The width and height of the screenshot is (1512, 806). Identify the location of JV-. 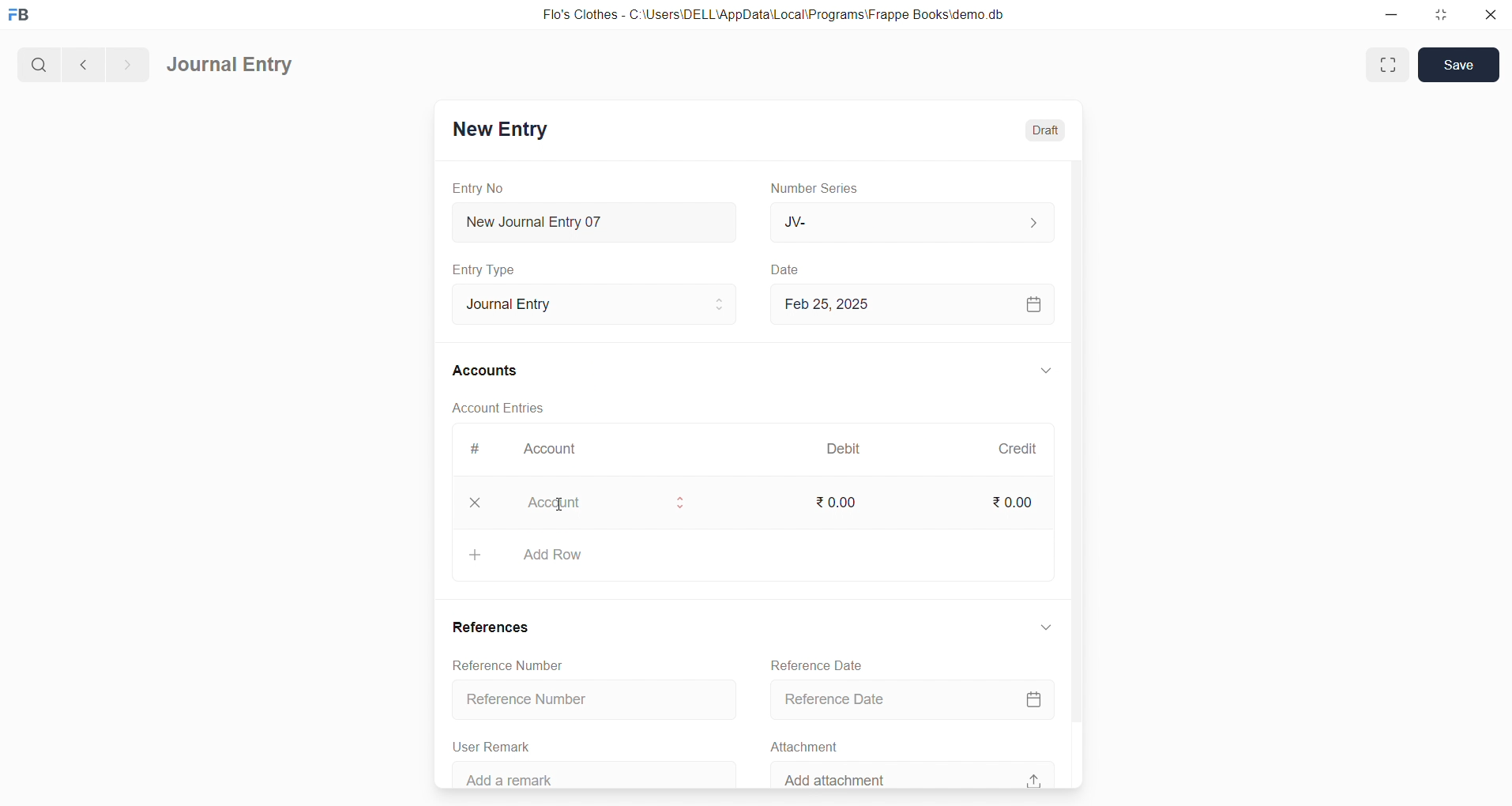
(910, 223).